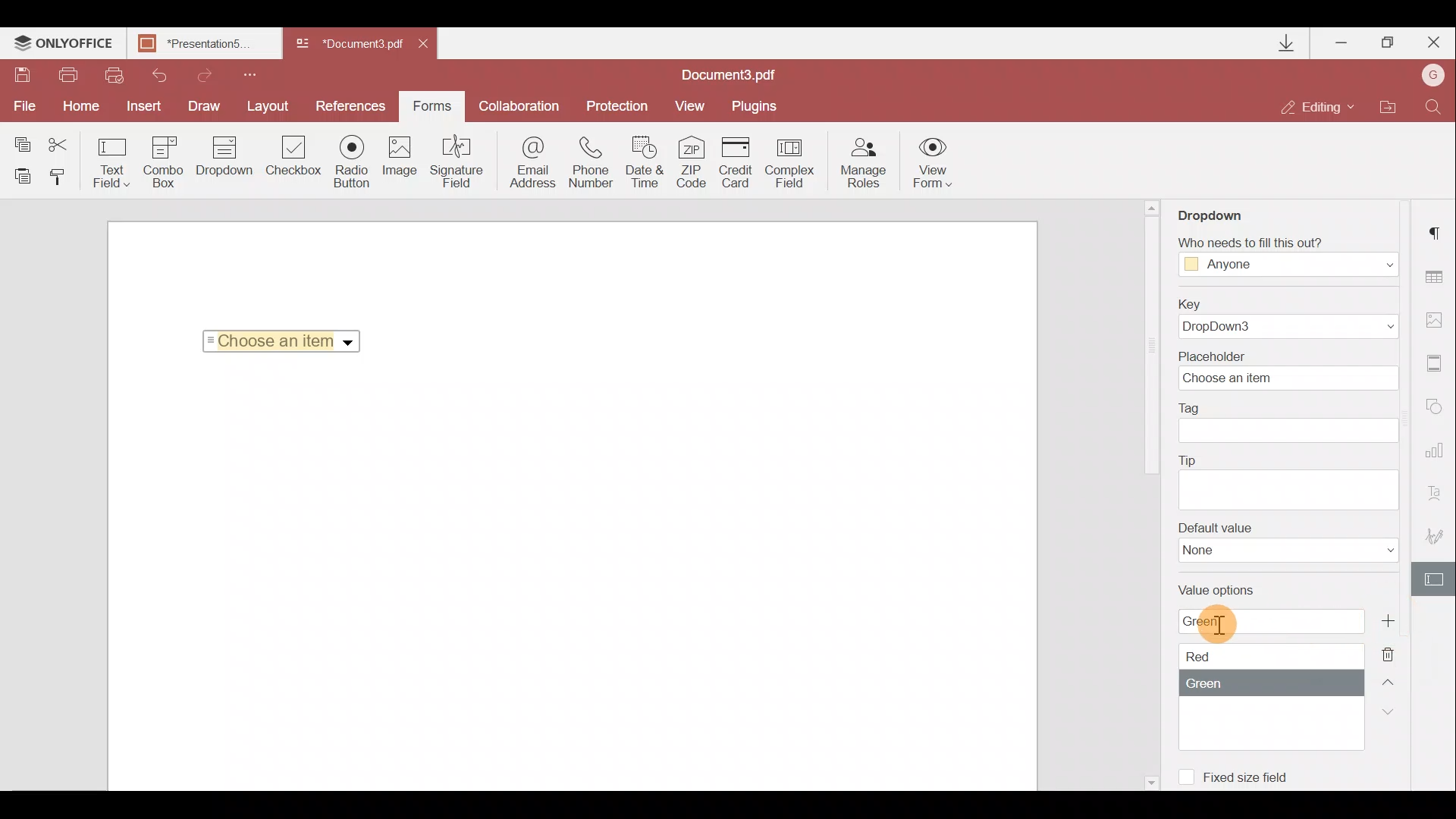  Describe the element at coordinates (147, 106) in the screenshot. I see `Insert` at that location.